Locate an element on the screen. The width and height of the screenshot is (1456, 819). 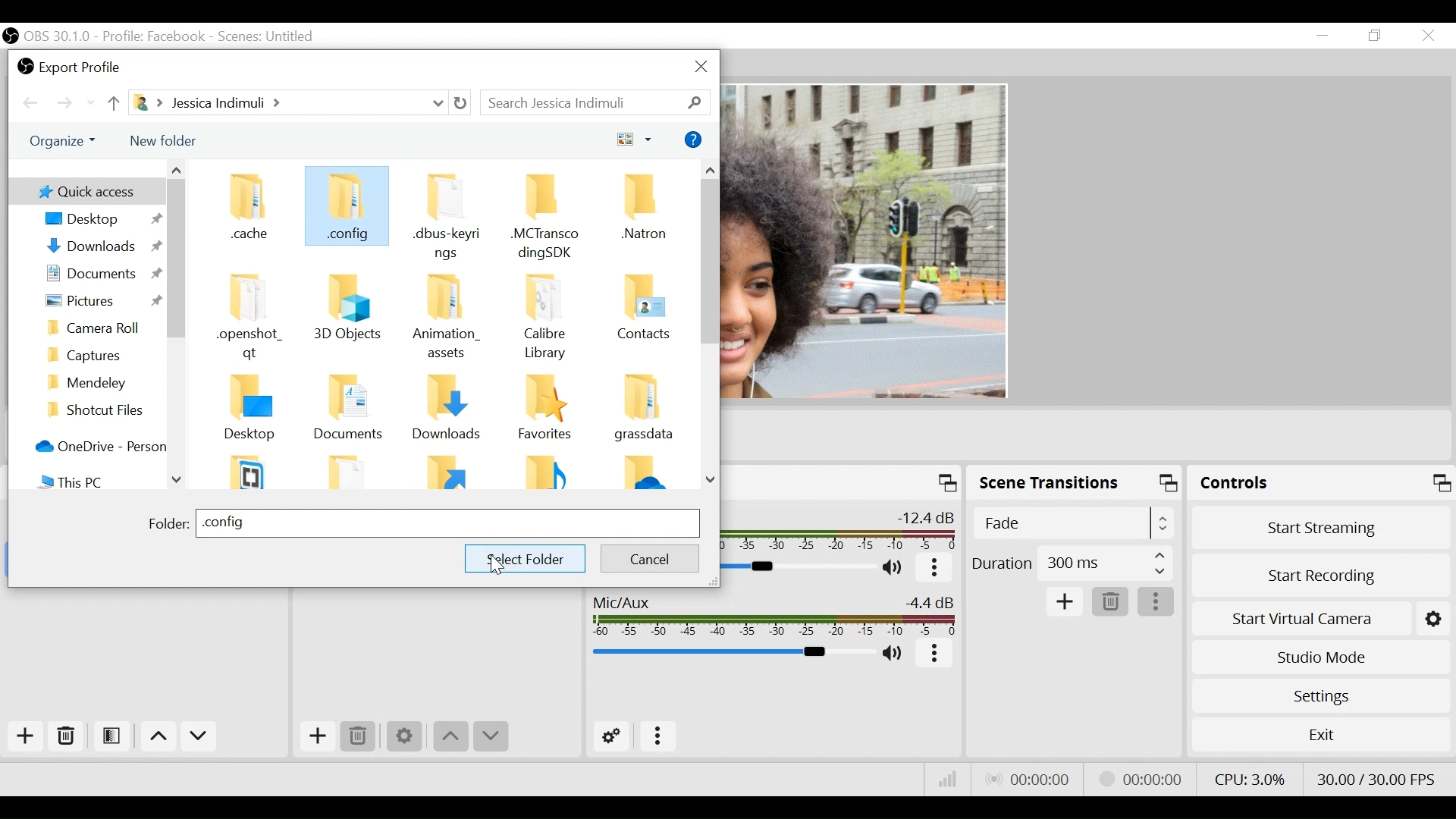
Settings is located at coordinates (1323, 697).